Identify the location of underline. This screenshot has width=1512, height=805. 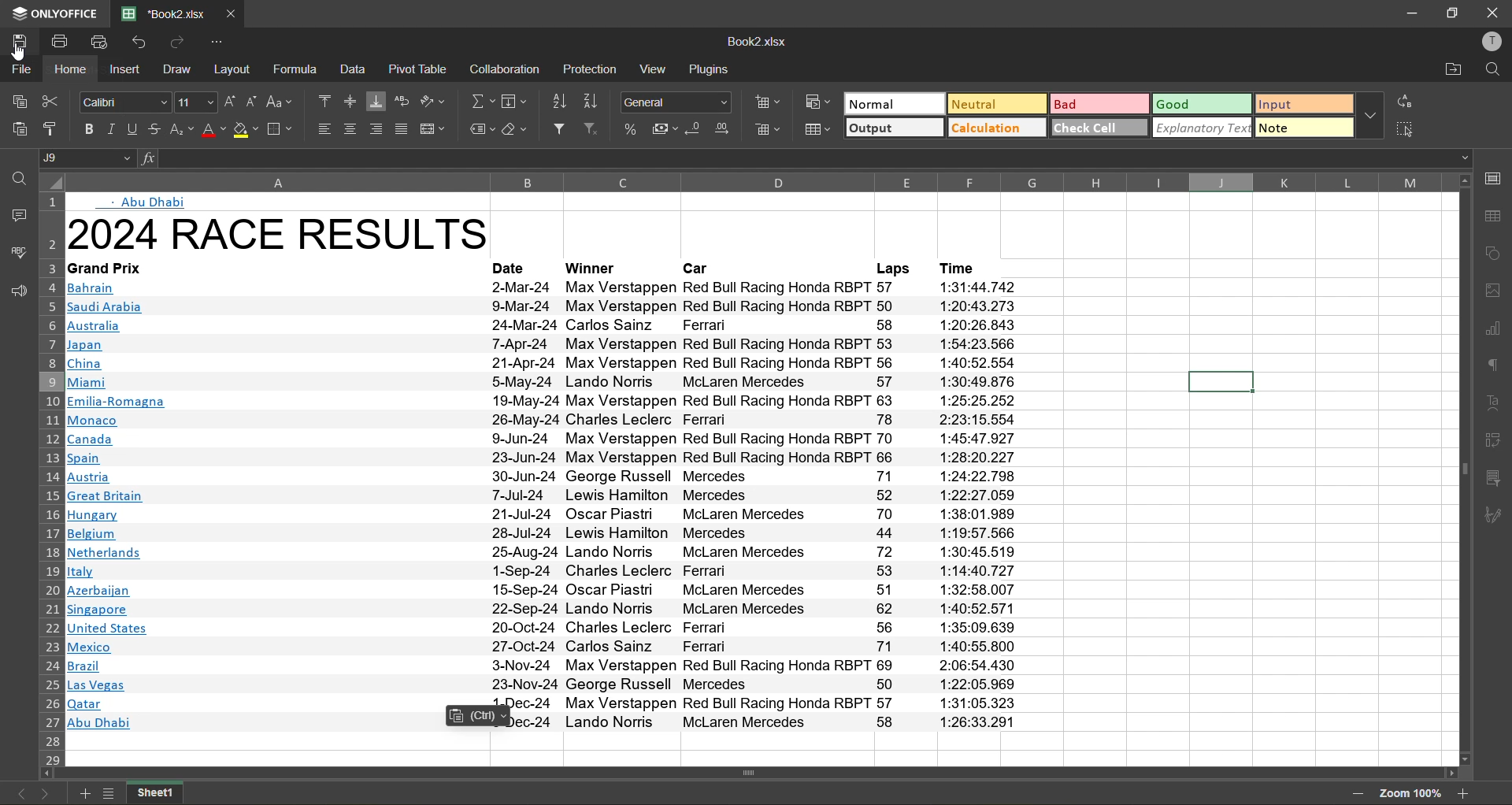
(132, 128).